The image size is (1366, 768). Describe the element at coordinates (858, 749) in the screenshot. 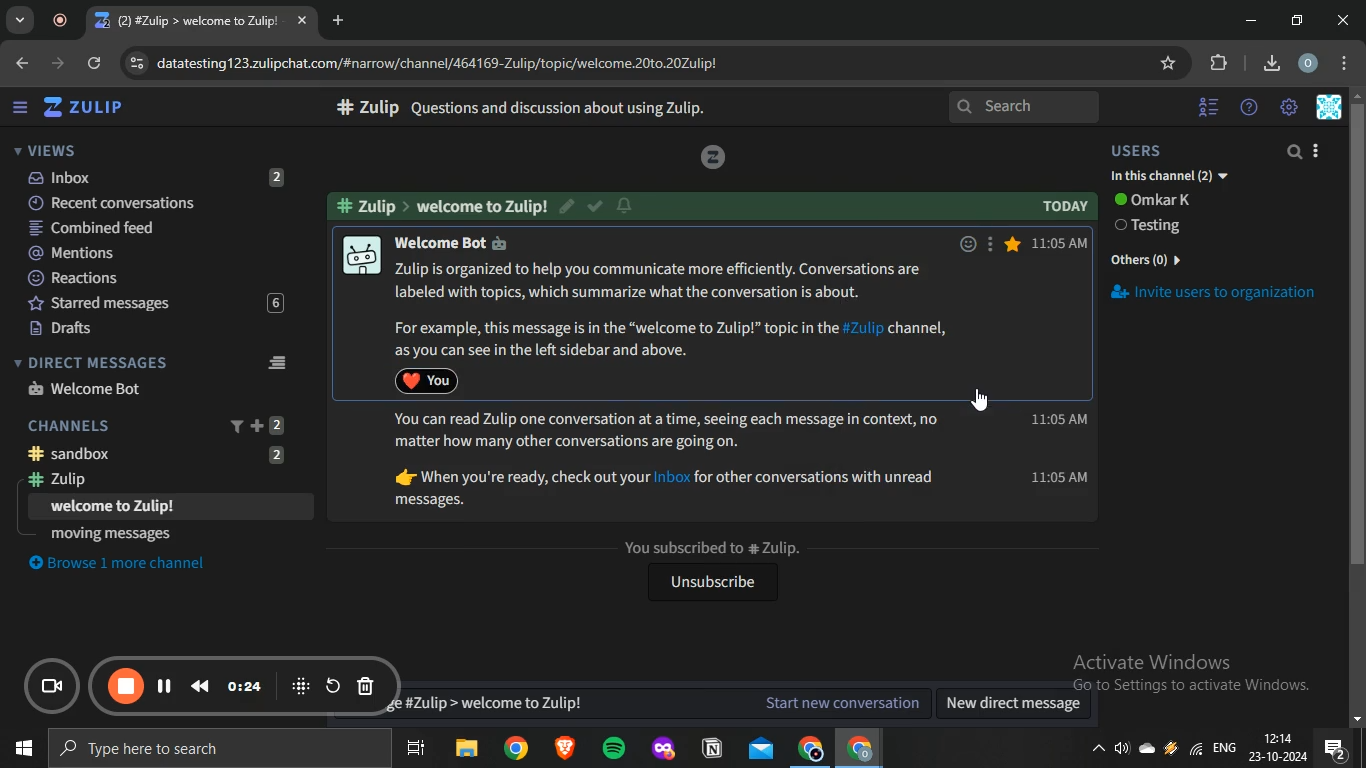

I see `google chrome` at that location.